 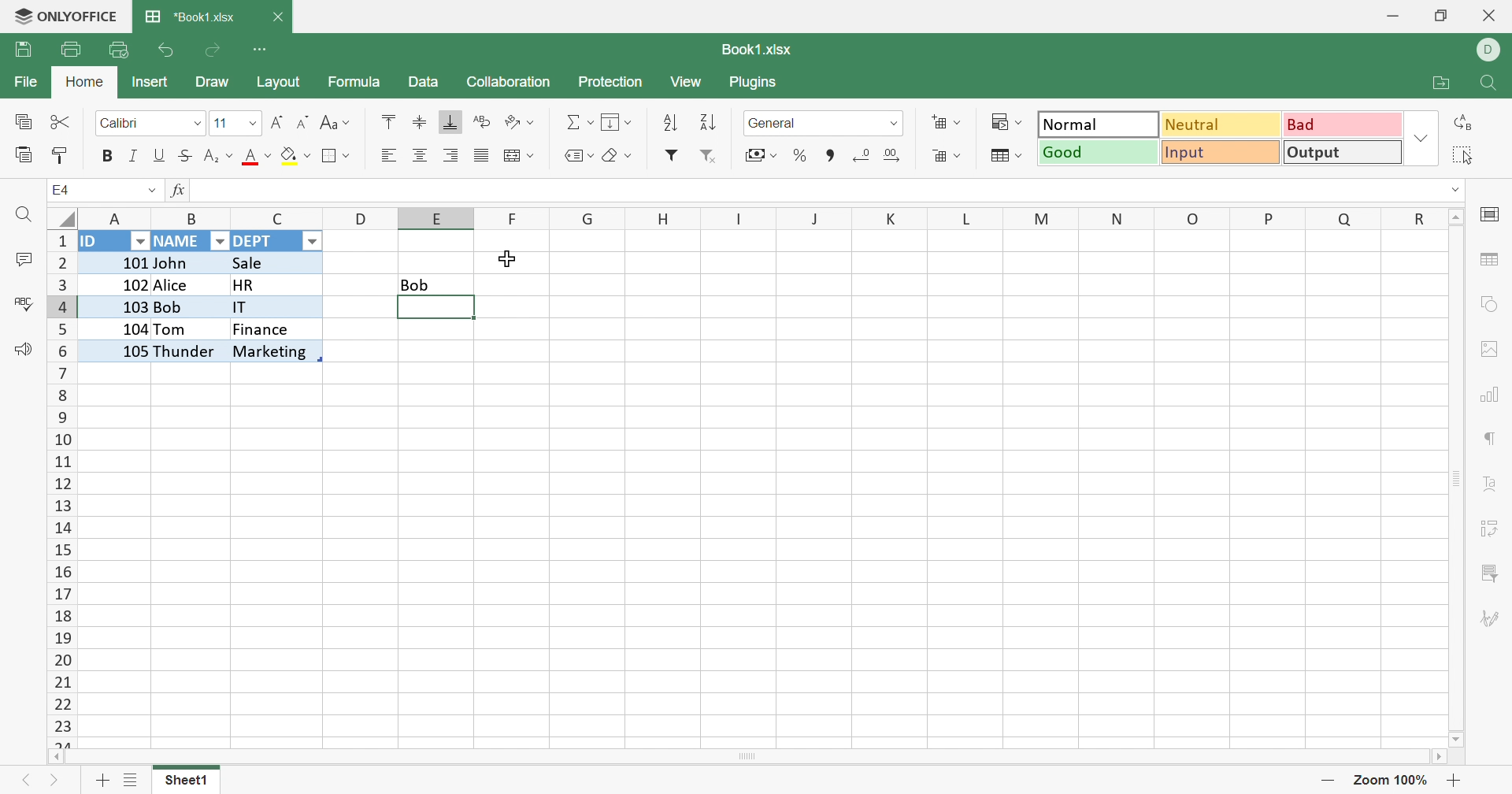 What do you see at coordinates (862, 156) in the screenshot?
I see `Decrease decimal` at bounding box center [862, 156].